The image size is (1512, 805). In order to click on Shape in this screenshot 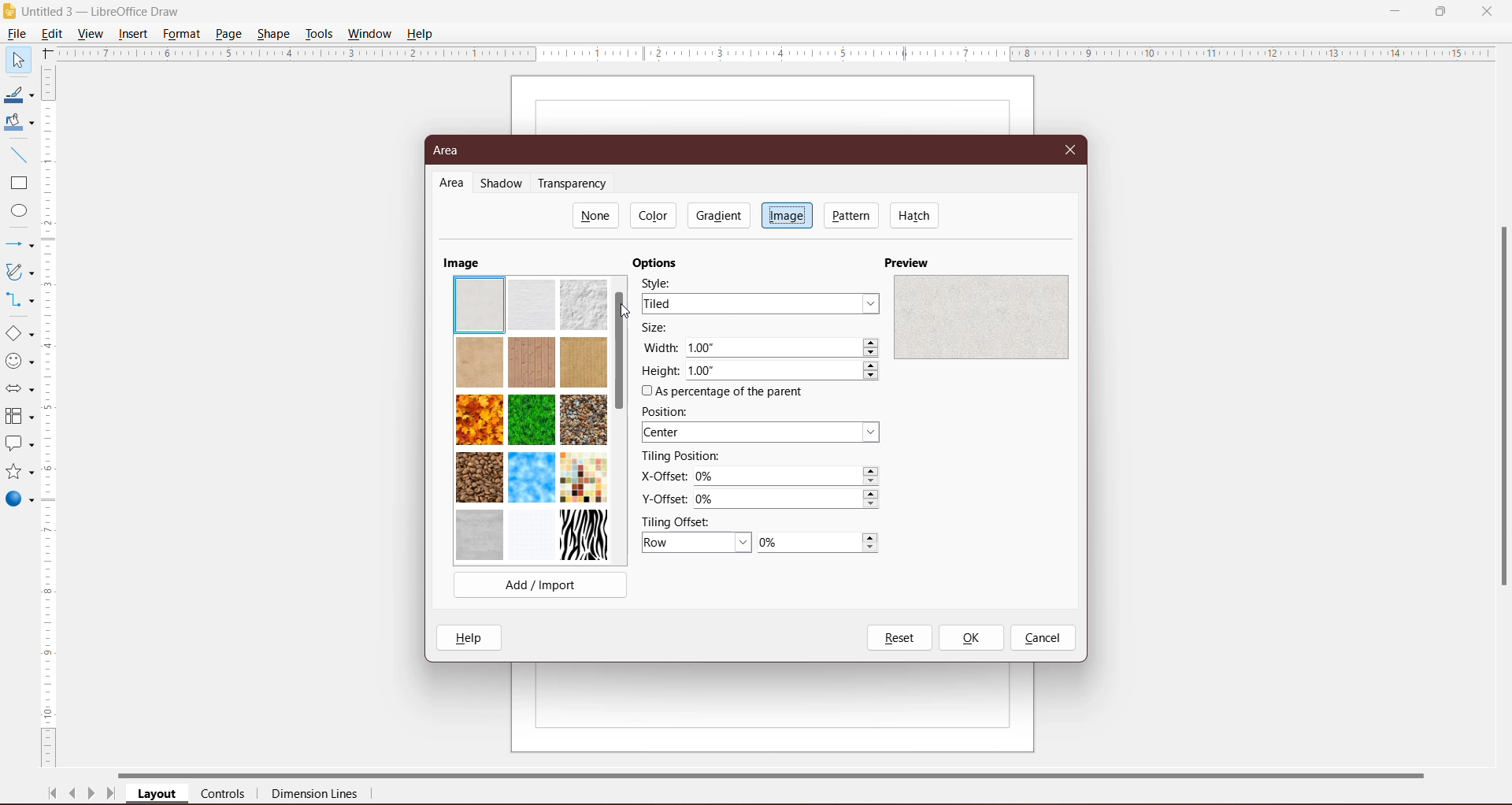, I will do `click(275, 32)`.